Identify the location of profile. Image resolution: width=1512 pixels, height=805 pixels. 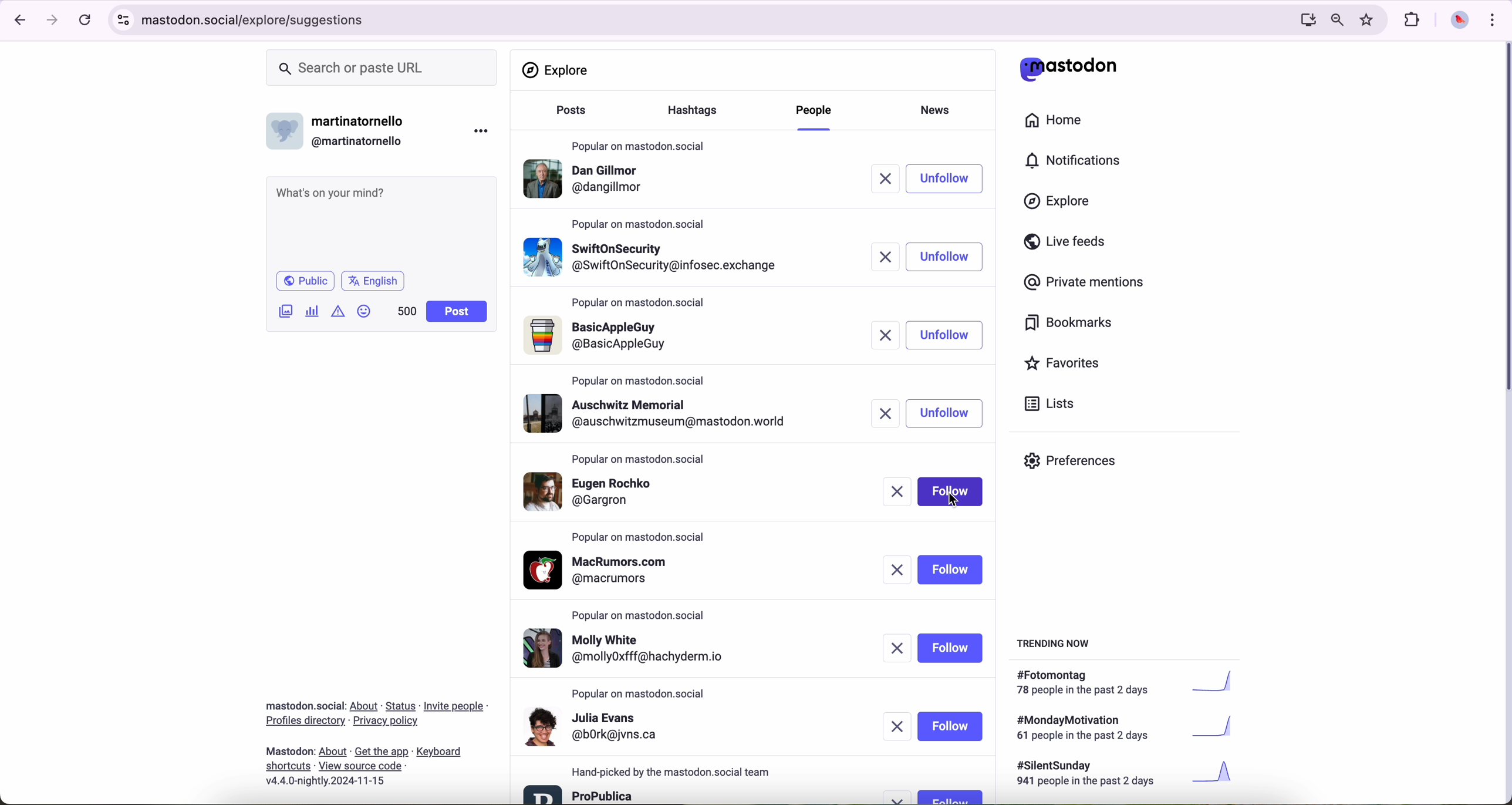
(603, 490).